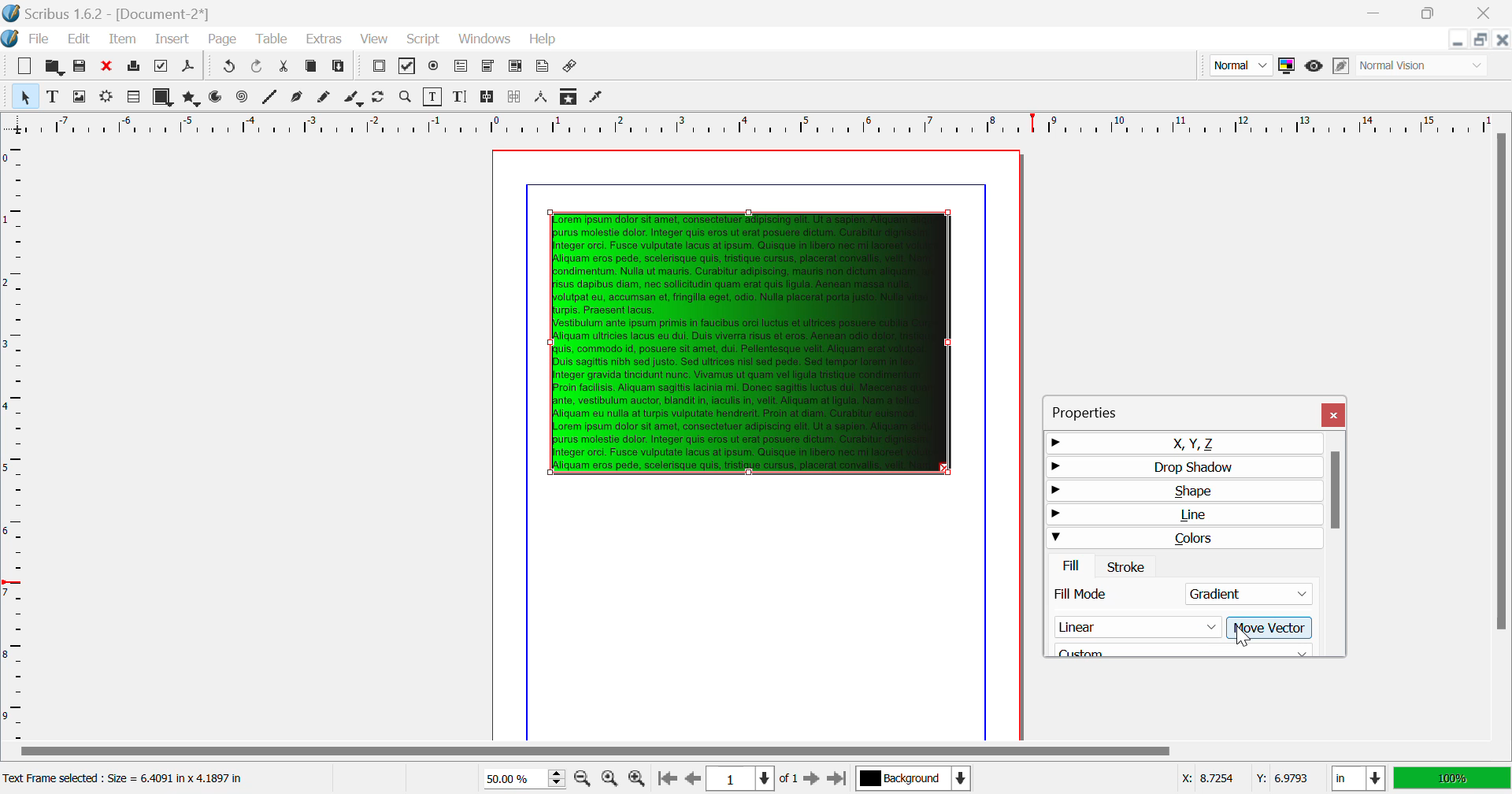 Image resolution: width=1512 pixels, height=794 pixels. What do you see at coordinates (1182, 492) in the screenshot?
I see `Shape` at bounding box center [1182, 492].